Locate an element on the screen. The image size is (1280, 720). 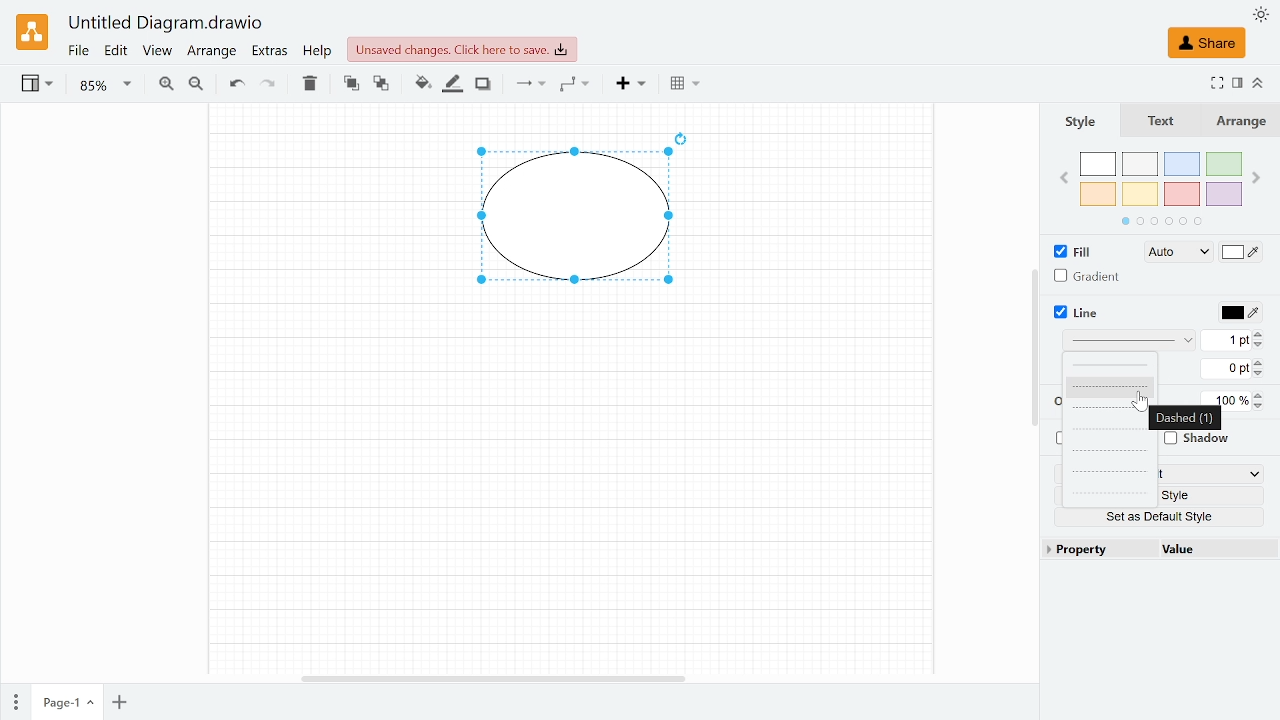
Full screen is located at coordinates (1216, 83).